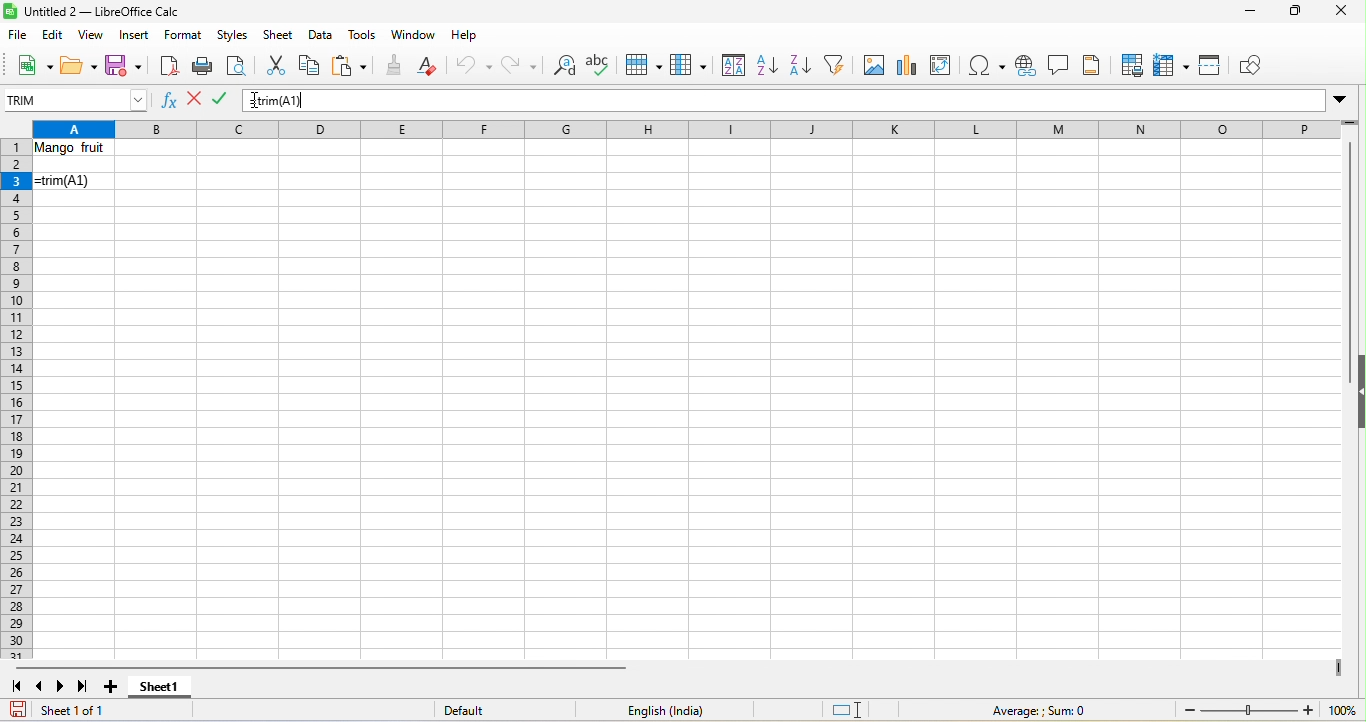  What do you see at coordinates (77, 65) in the screenshot?
I see `open` at bounding box center [77, 65].